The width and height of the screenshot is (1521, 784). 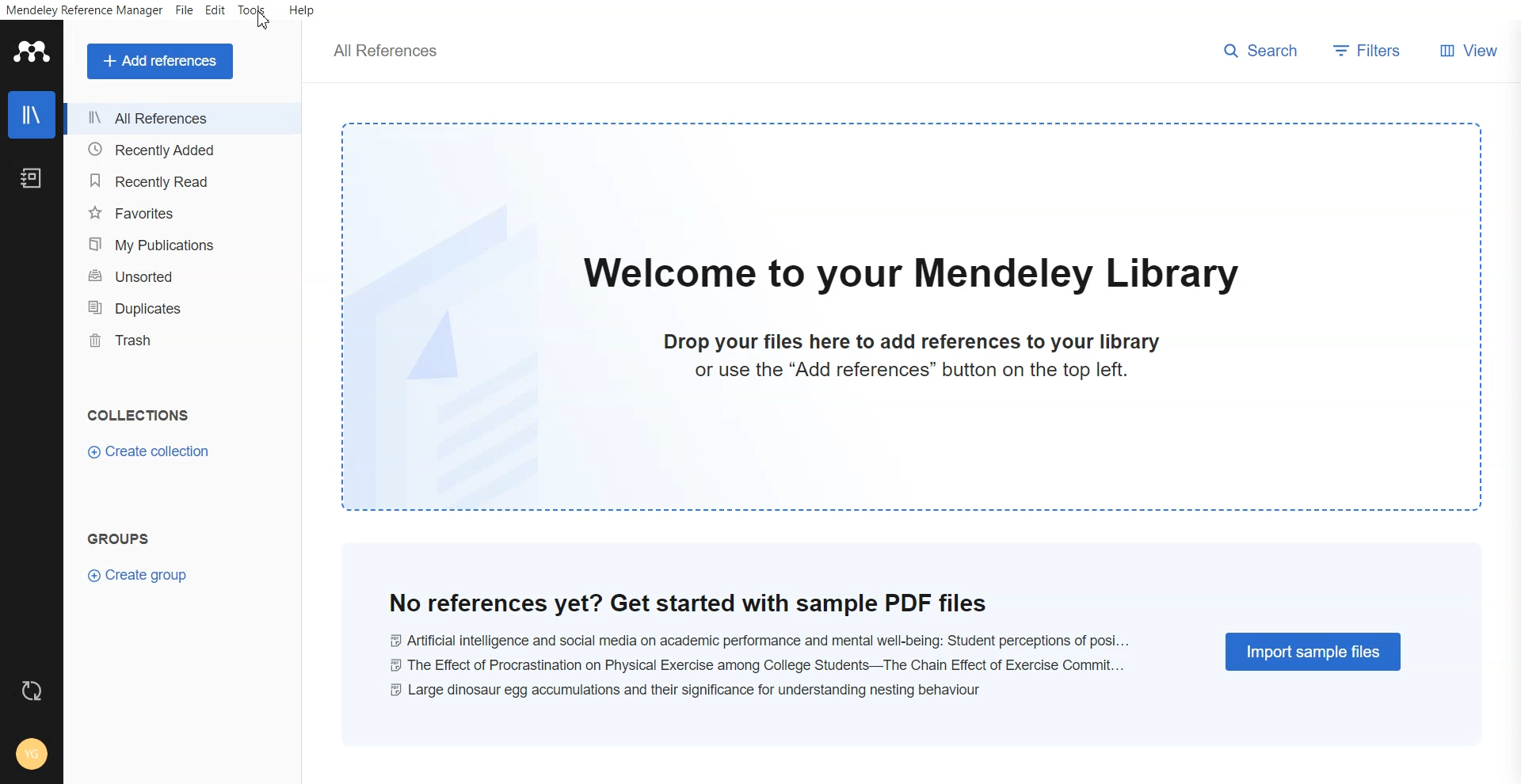 What do you see at coordinates (1369, 52) in the screenshot?
I see `Filters` at bounding box center [1369, 52].